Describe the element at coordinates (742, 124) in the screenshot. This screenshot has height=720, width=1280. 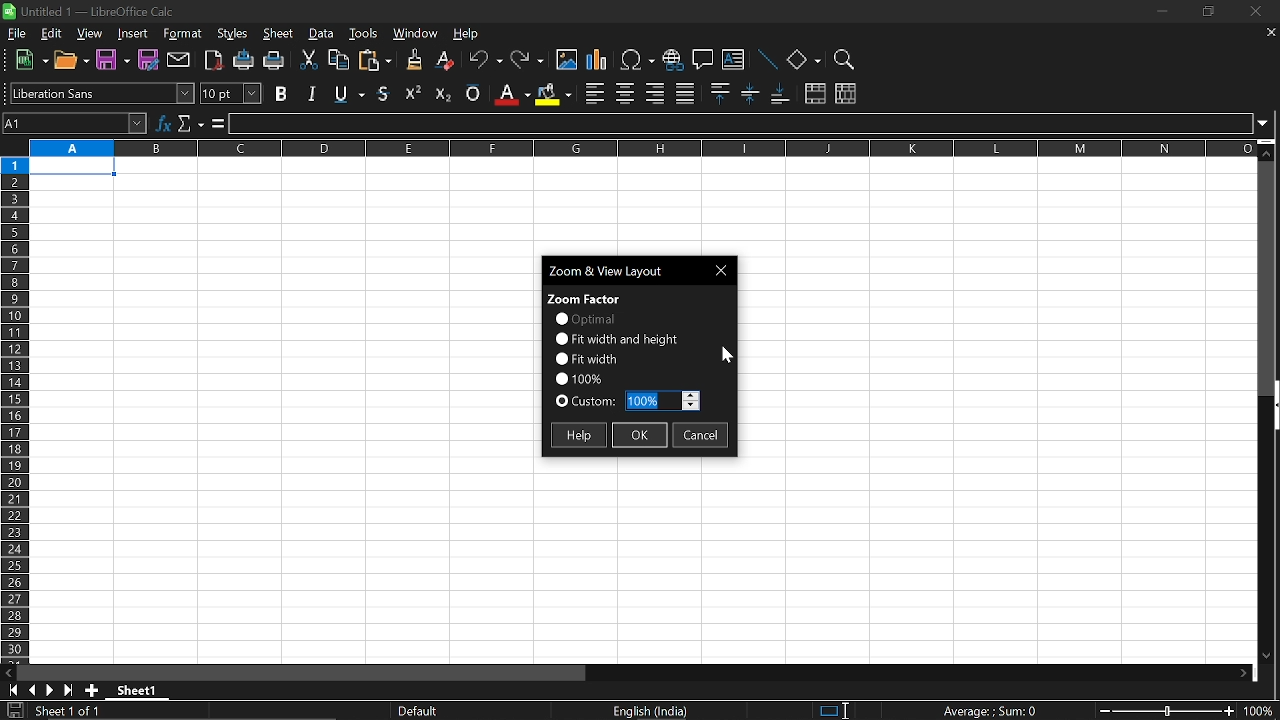
I see `input line` at that location.